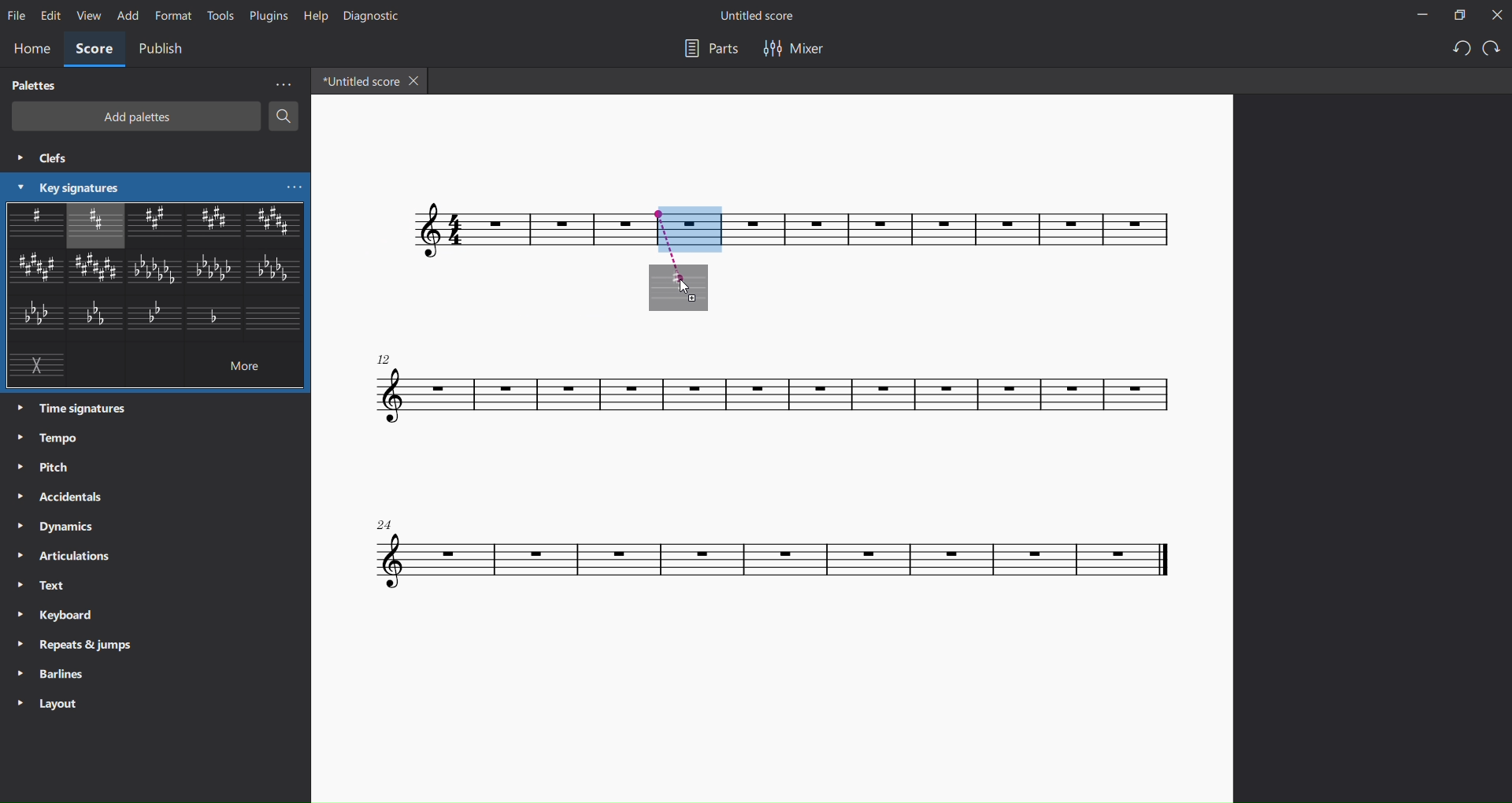 This screenshot has height=803, width=1512. Describe the element at coordinates (283, 83) in the screenshot. I see `more` at that location.